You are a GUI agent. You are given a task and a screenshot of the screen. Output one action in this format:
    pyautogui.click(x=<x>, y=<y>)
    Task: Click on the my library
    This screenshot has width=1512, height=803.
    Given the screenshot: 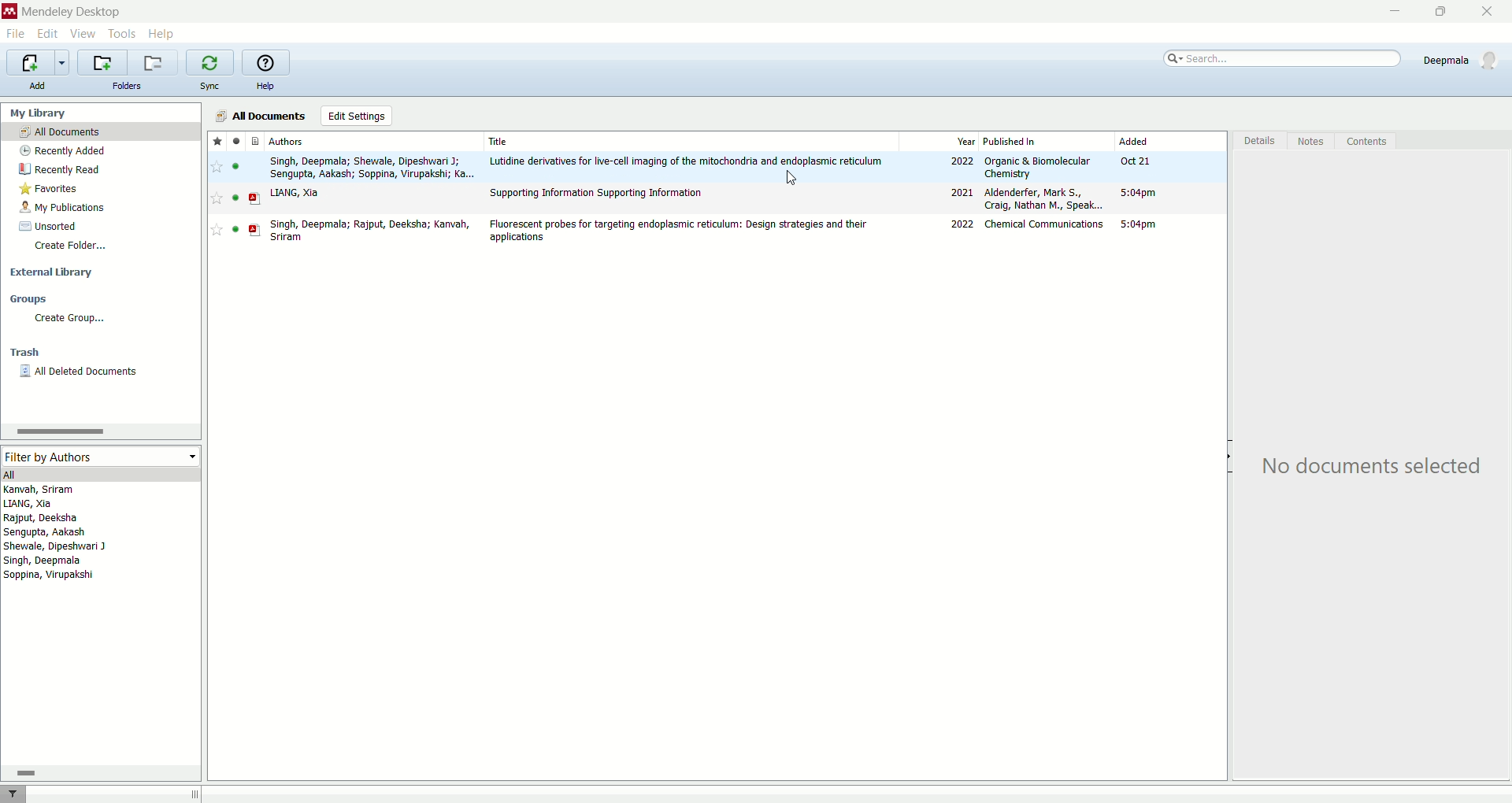 What is the action you would take?
    pyautogui.click(x=36, y=113)
    